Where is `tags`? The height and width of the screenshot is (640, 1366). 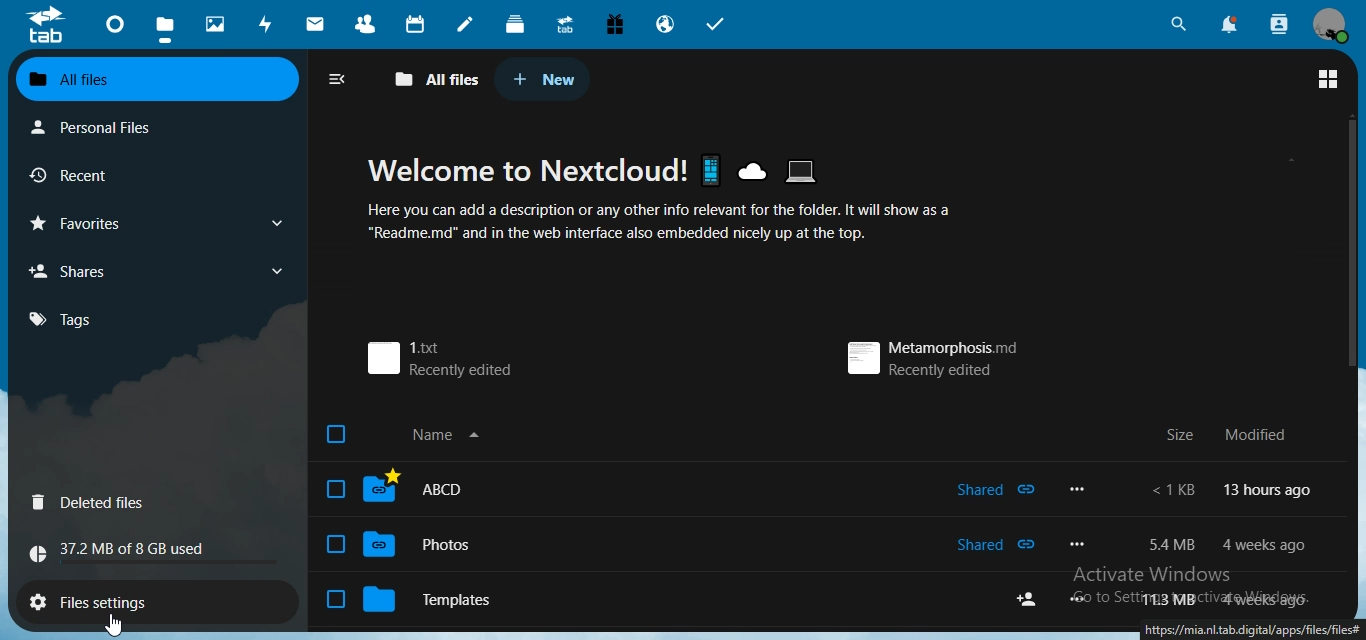 tags is located at coordinates (58, 320).